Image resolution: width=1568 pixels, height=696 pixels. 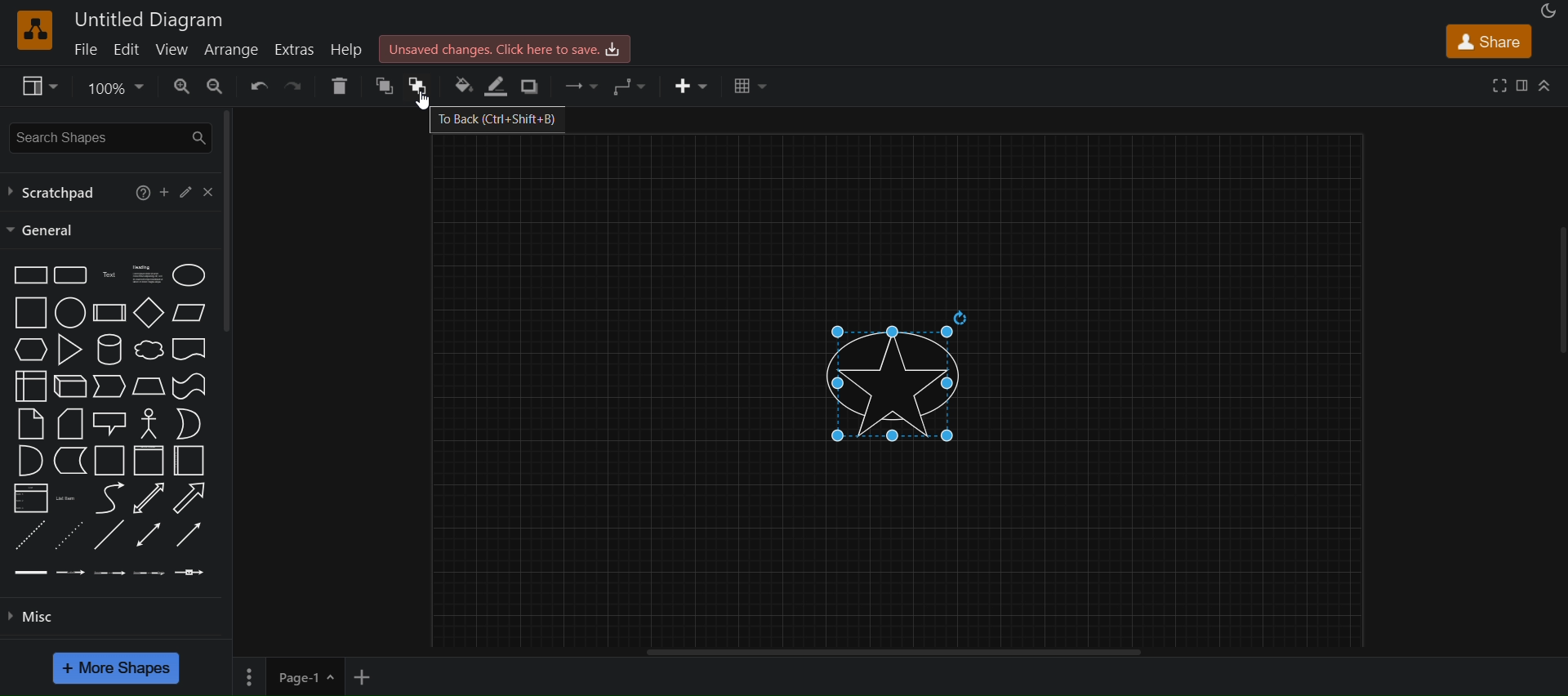 I want to click on and, so click(x=28, y=460).